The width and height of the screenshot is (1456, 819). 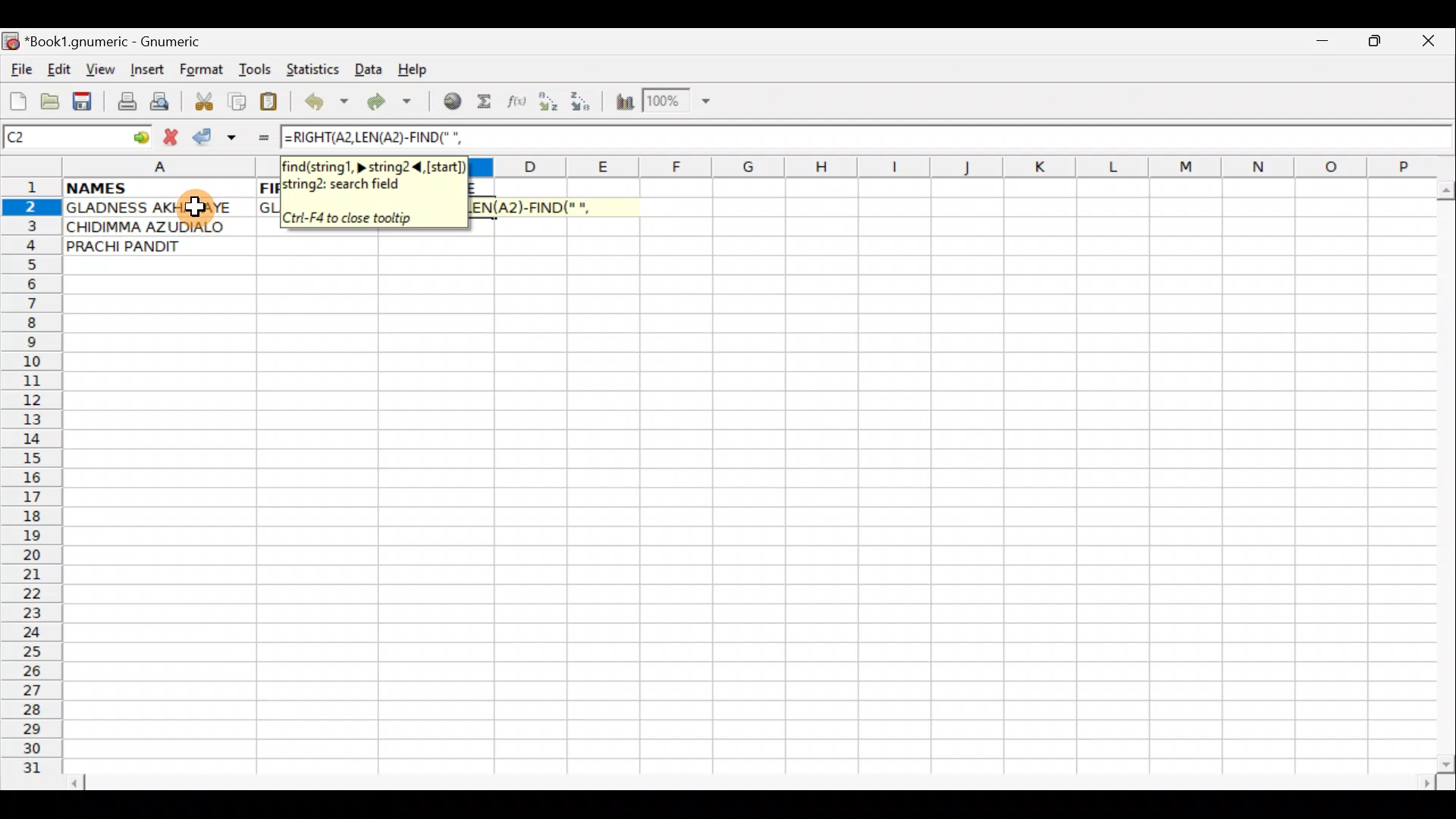 What do you see at coordinates (489, 102) in the screenshot?
I see `Sum in the current cell` at bounding box center [489, 102].